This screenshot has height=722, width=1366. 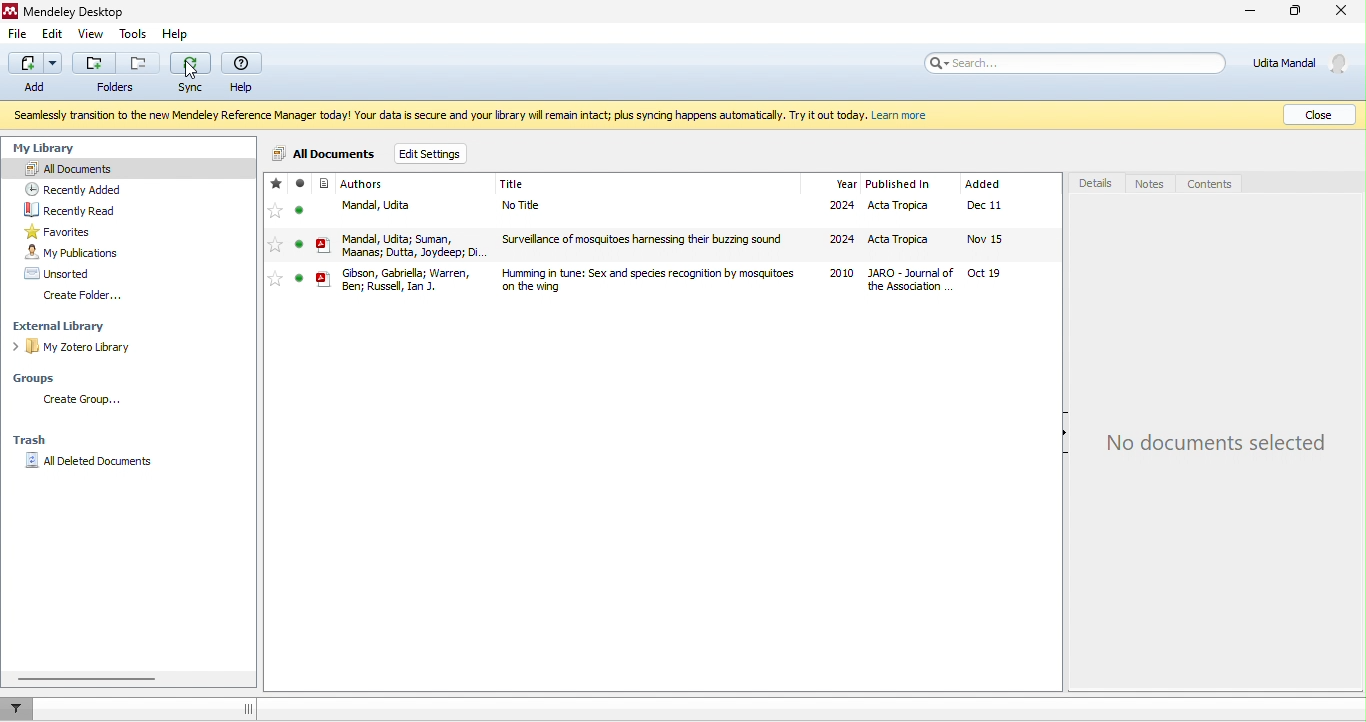 I want to click on saved, so click(x=300, y=183).